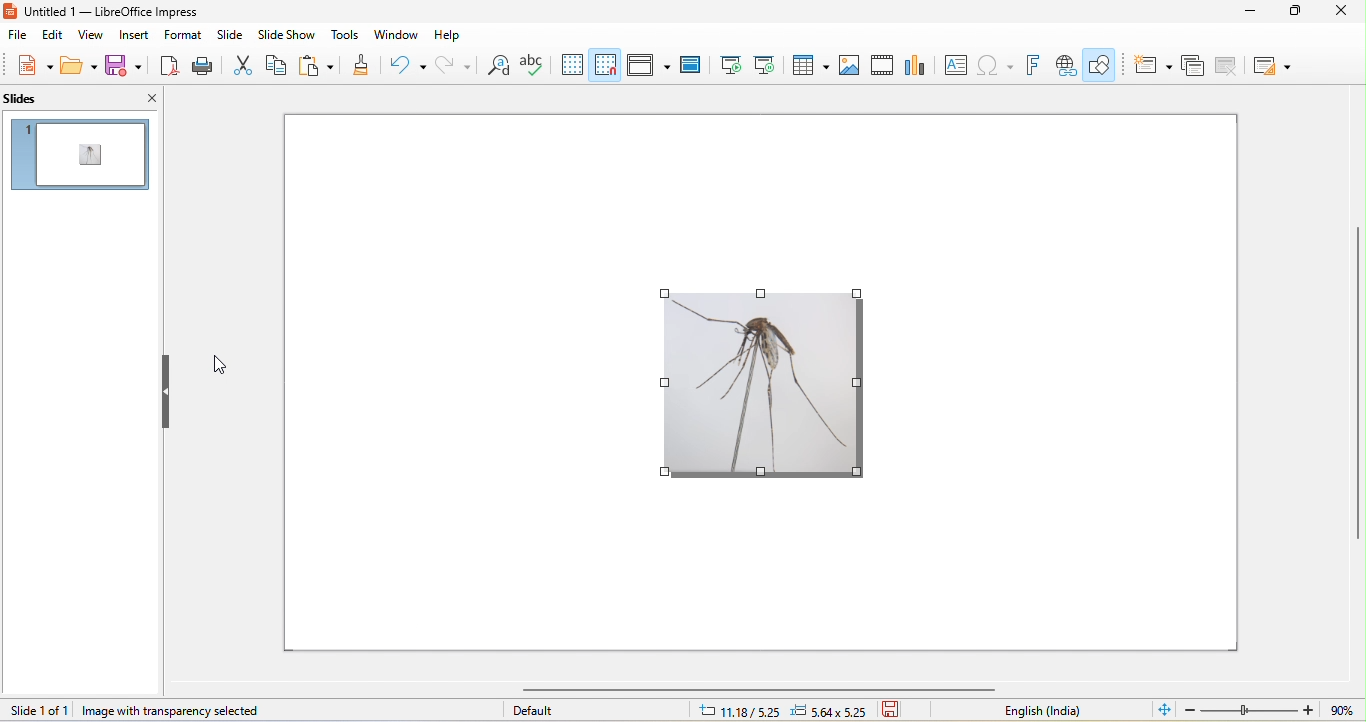 Image resolution: width=1366 pixels, height=722 pixels. I want to click on duplicate, so click(1194, 65).